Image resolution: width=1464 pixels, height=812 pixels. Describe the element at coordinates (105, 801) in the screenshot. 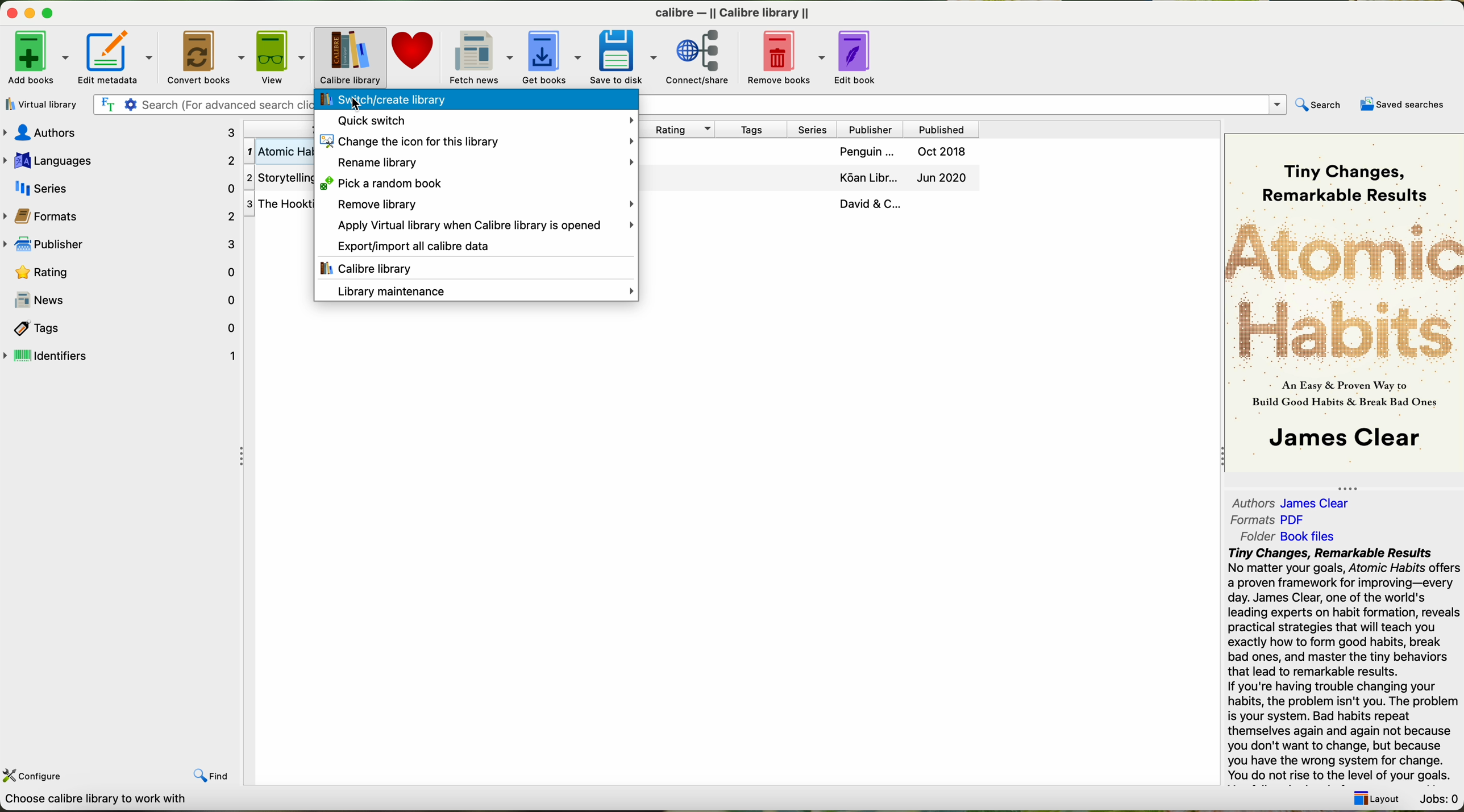

I see `Choose calbre library to work with Calbre Library [3book}` at that location.